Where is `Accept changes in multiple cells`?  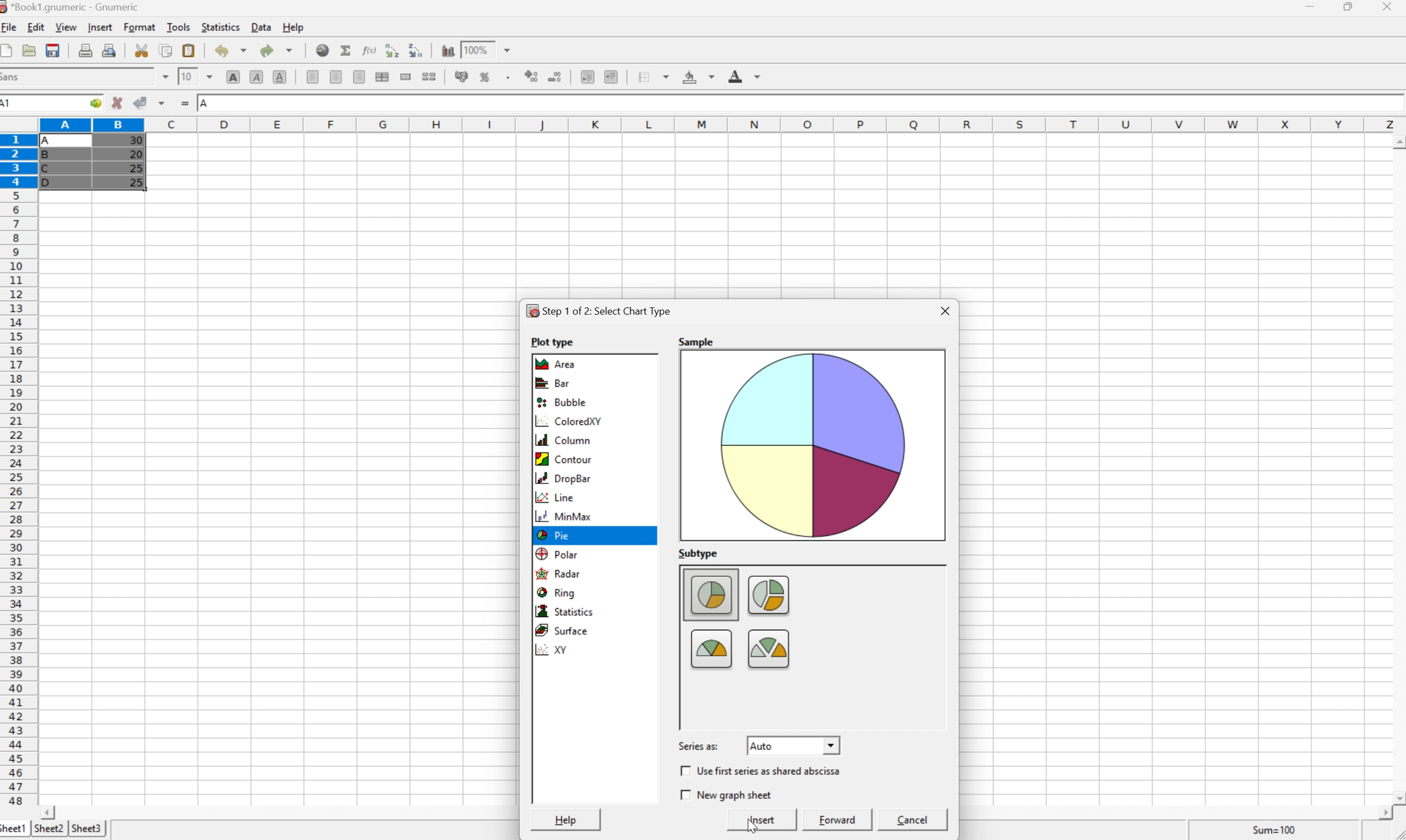
Accept changes in multiple cells is located at coordinates (163, 101).